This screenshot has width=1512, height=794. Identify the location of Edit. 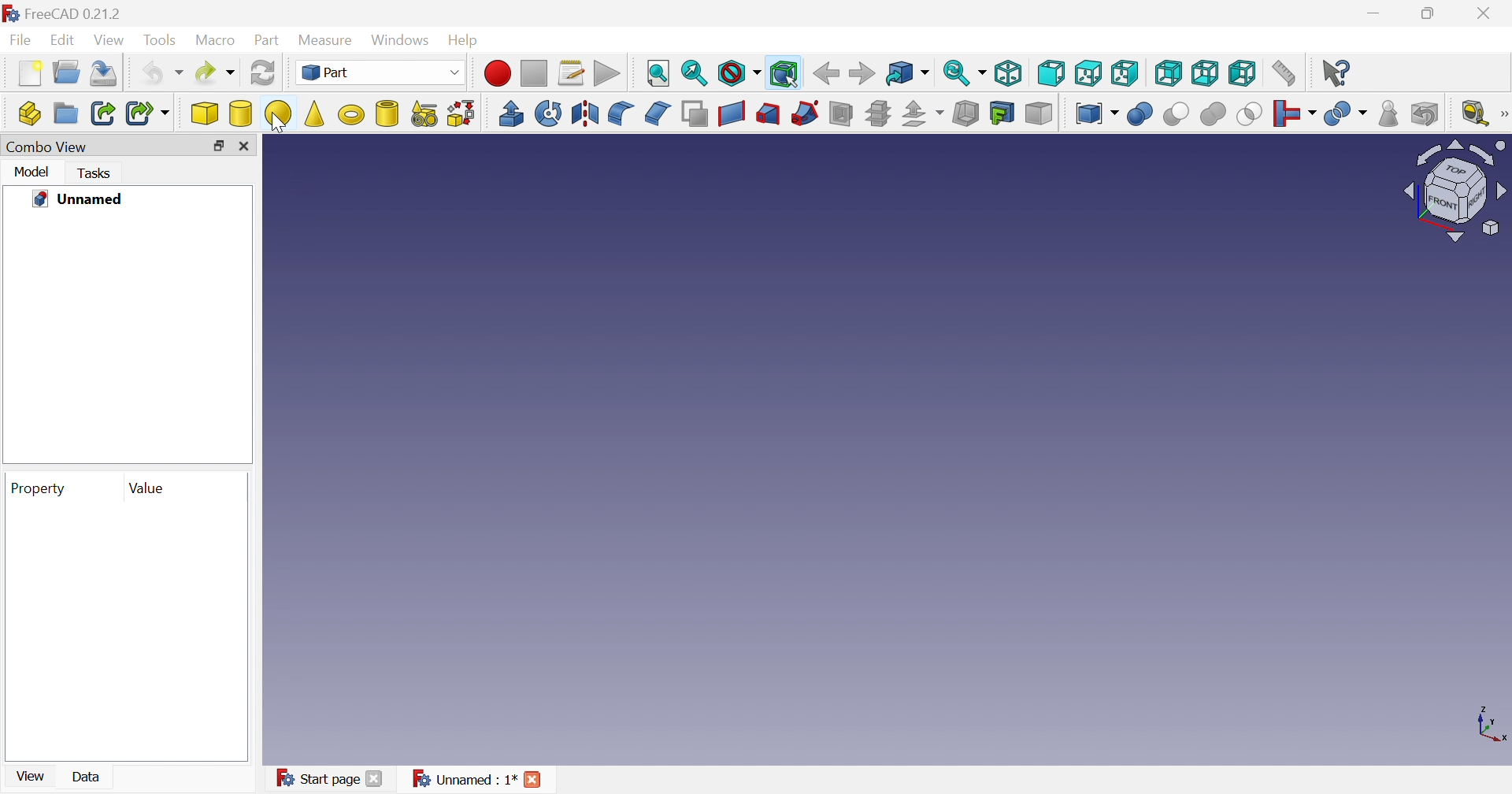
(64, 41).